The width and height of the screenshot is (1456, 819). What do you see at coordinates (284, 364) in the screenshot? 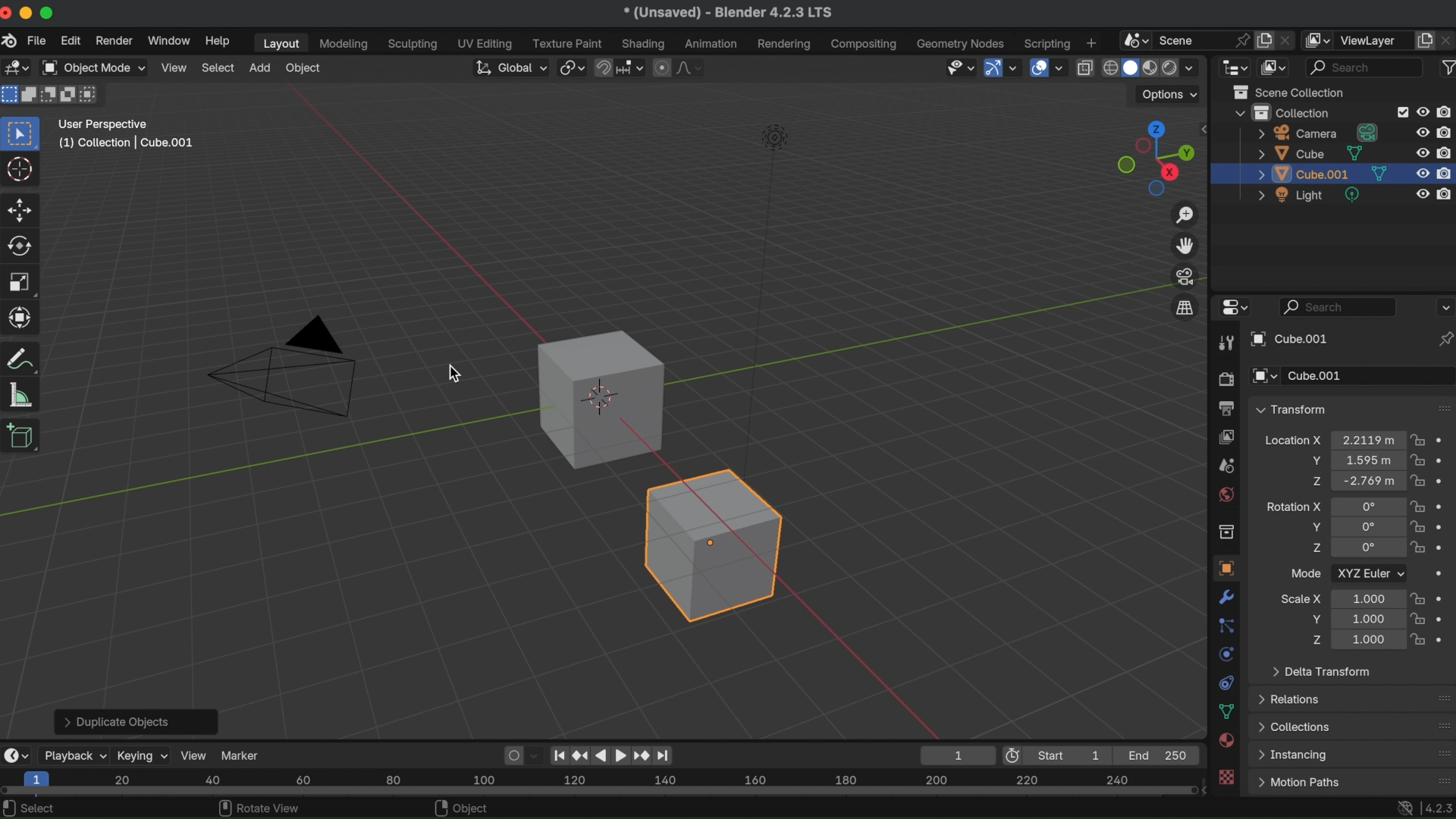
I see `D triangle` at bounding box center [284, 364].